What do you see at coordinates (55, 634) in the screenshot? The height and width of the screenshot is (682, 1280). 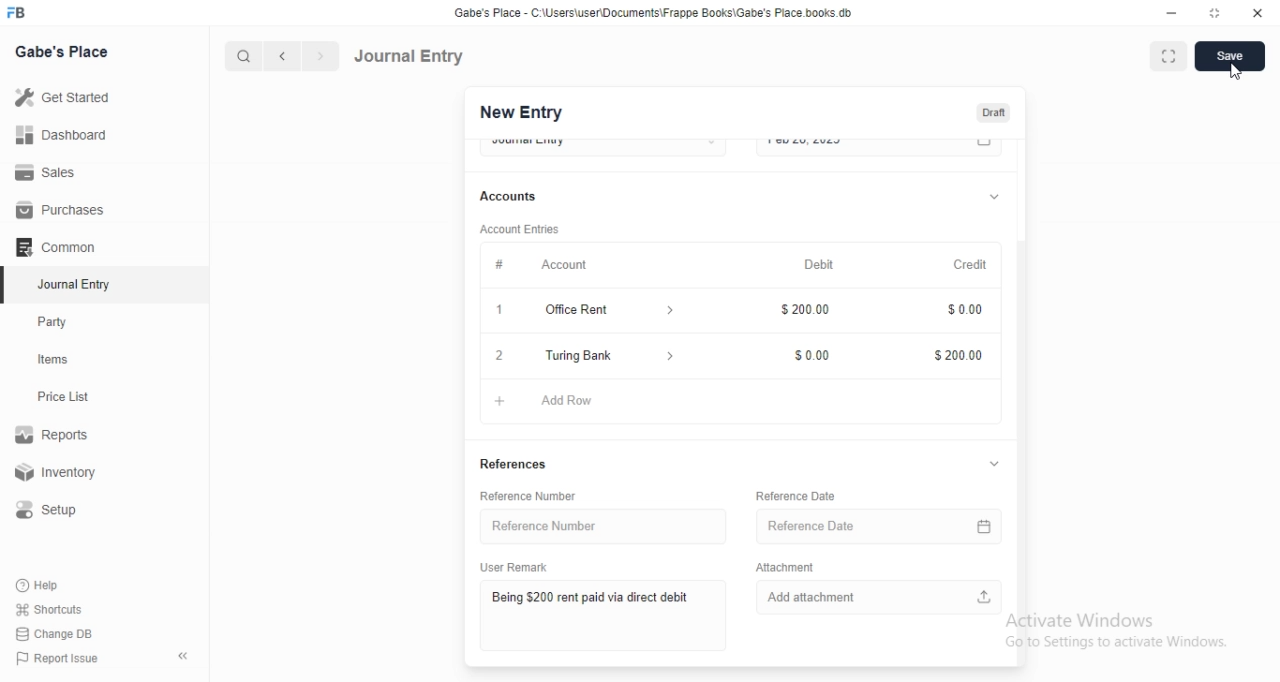 I see `‘Change DB` at bounding box center [55, 634].